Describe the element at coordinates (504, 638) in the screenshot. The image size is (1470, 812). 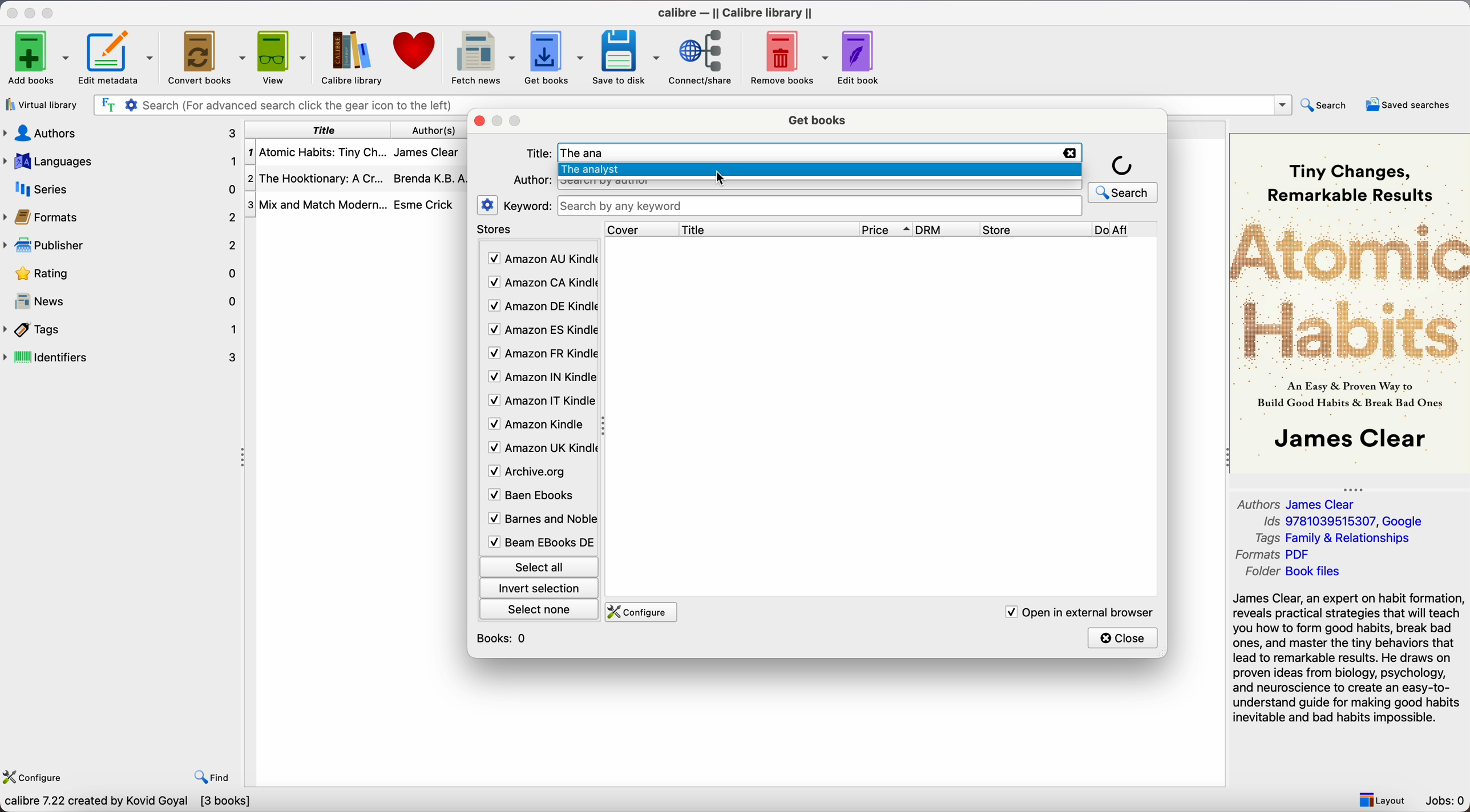
I see `books: 0` at that location.